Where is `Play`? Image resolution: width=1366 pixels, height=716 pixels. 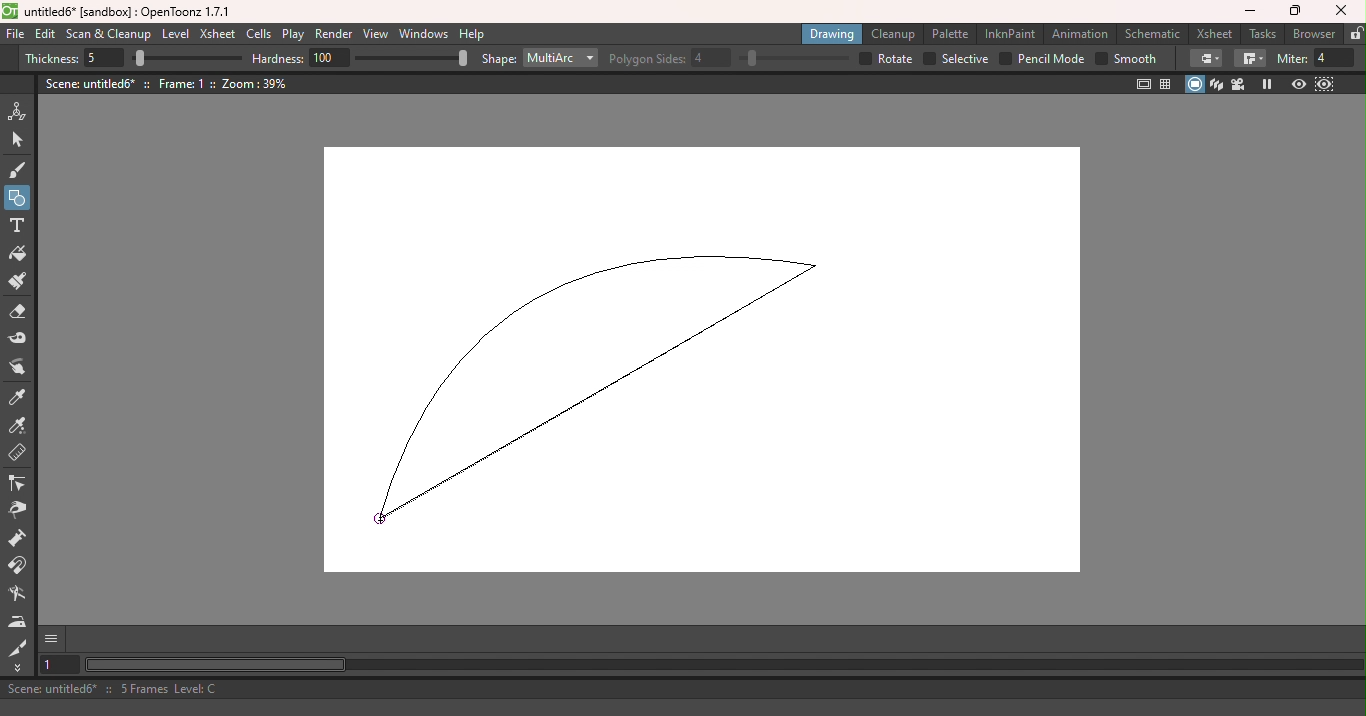 Play is located at coordinates (292, 35).